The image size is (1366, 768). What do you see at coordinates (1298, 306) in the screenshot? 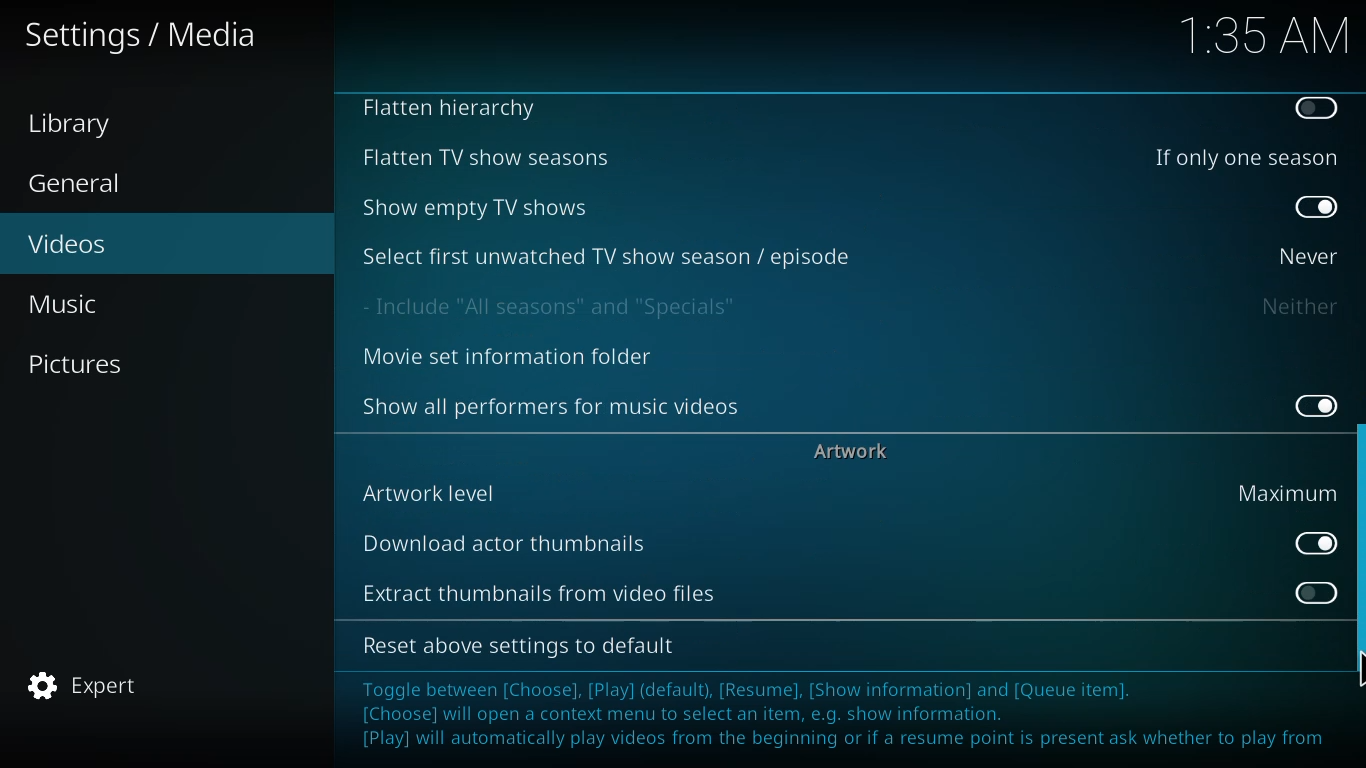
I see `neither` at bounding box center [1298, 306].